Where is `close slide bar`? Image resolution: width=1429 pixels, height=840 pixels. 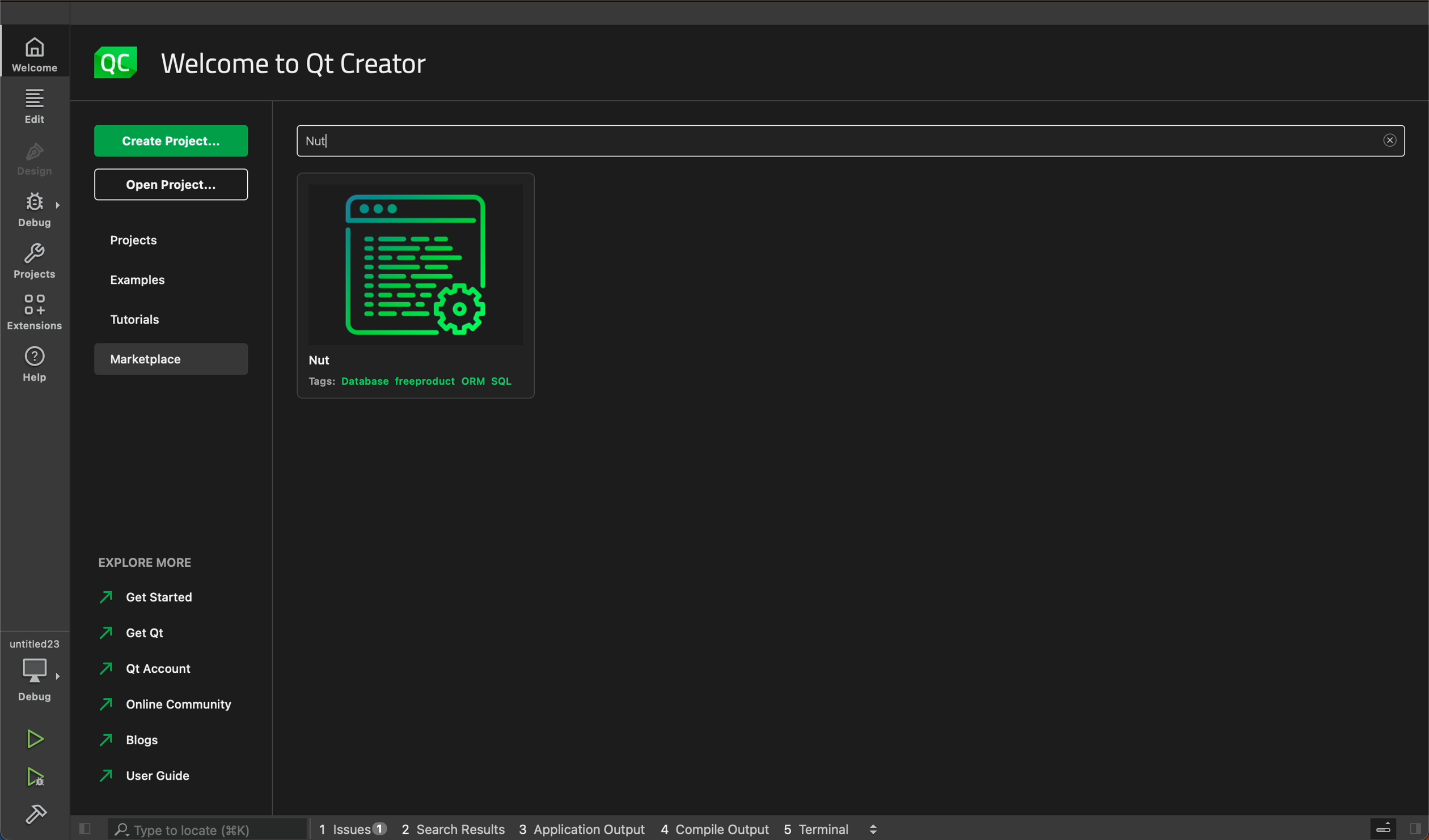 close slide bar is located at coordinates (82, 828).